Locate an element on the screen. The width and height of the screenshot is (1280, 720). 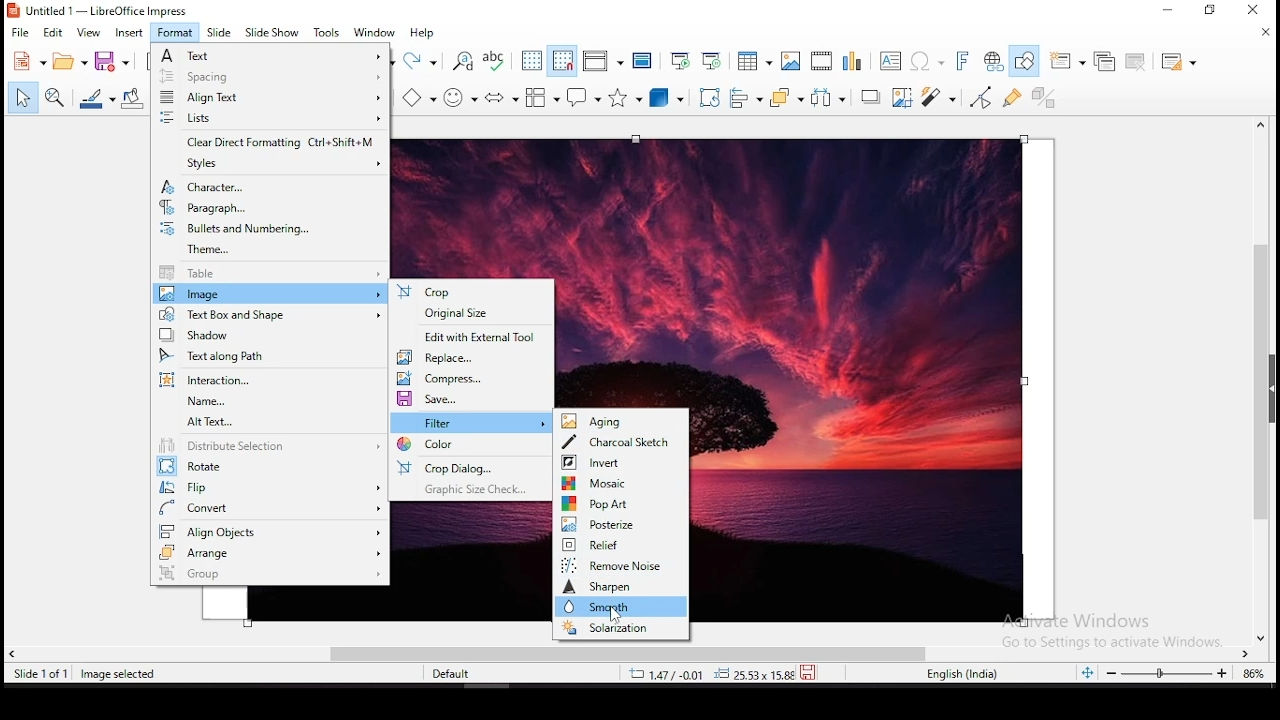
save is located at coordinates (811, 671).